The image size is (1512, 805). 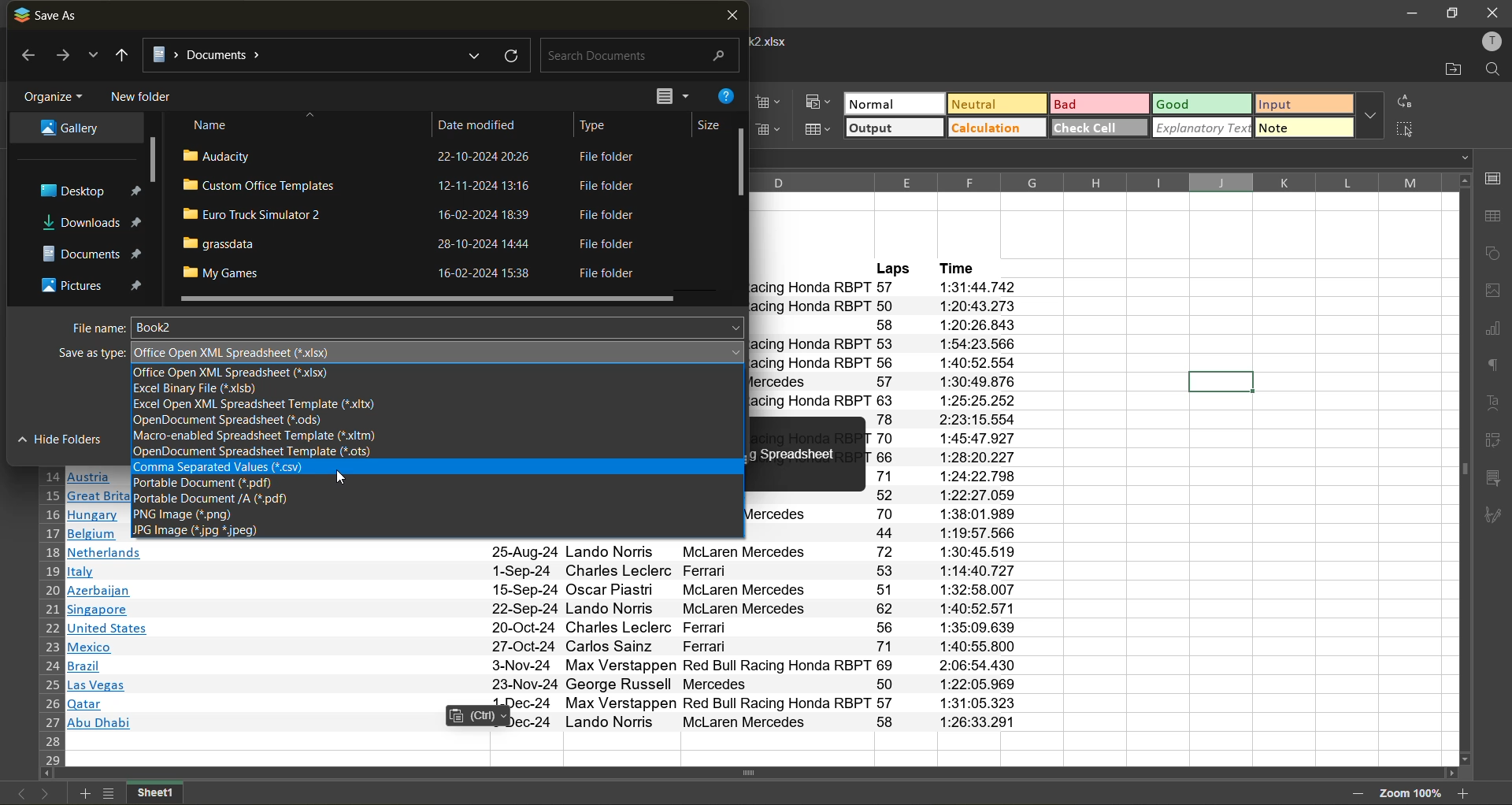 I want to click on xml spreadsheet, so click(x=228, y=373).